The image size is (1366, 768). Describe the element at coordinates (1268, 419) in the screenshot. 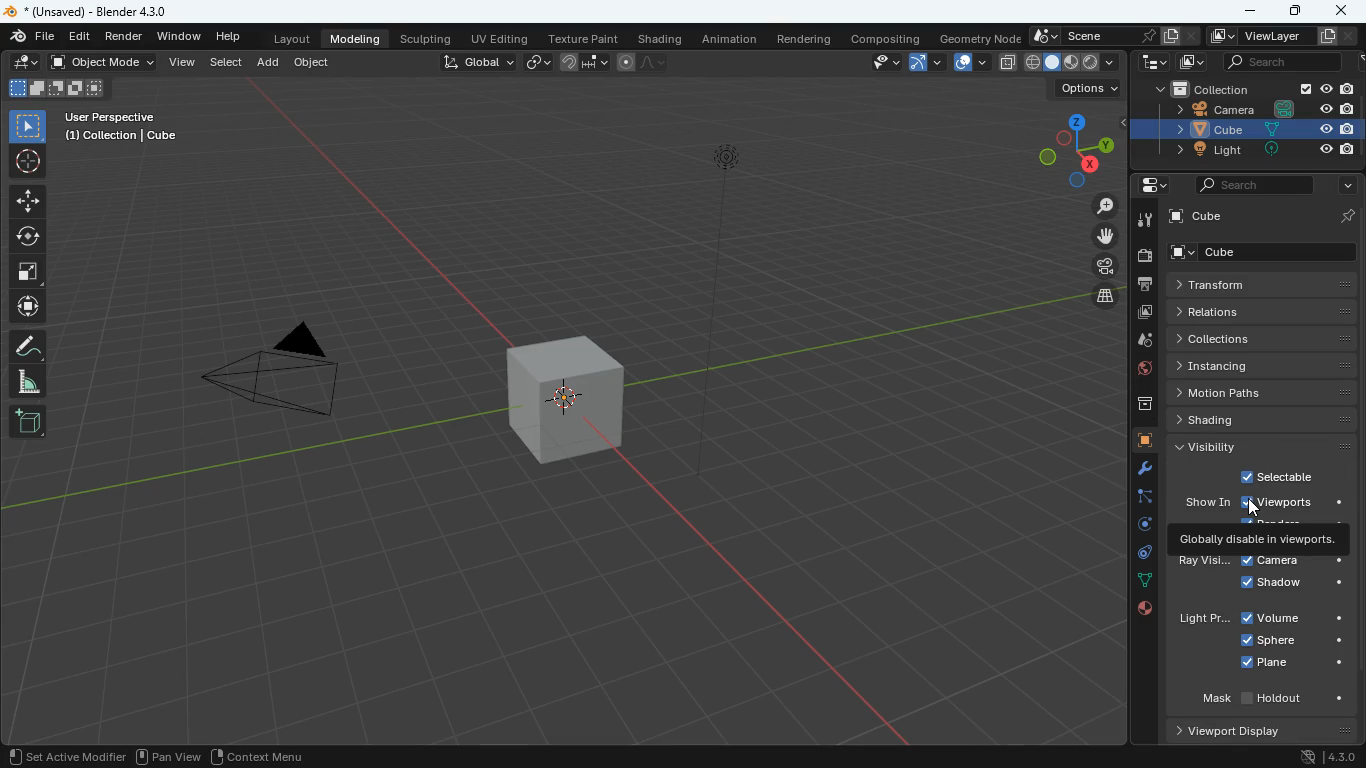

I see `shading` at that location.